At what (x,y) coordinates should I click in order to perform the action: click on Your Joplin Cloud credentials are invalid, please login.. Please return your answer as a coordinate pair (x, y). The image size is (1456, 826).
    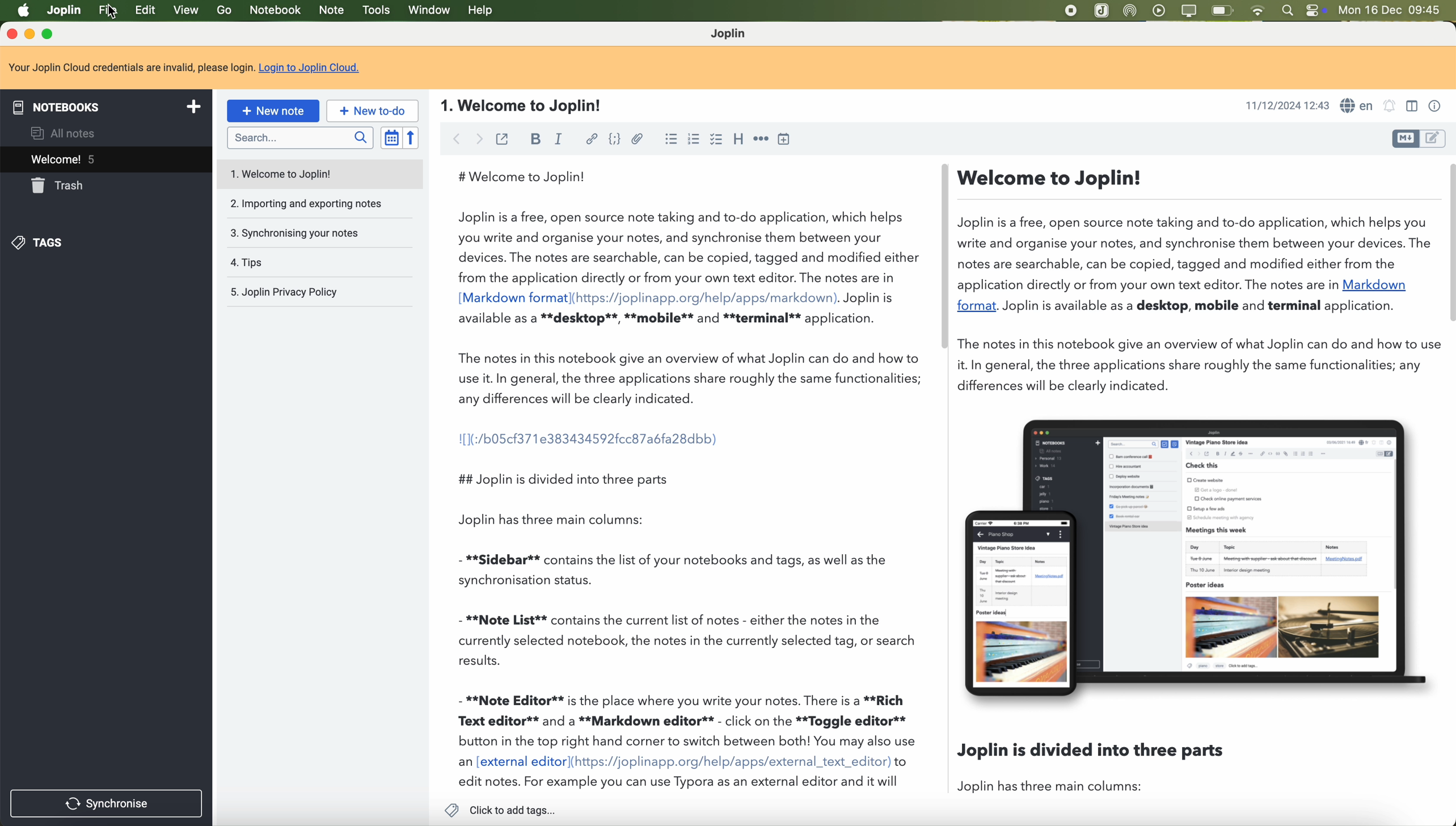
    Looking at the image, I should click on (130, 68).